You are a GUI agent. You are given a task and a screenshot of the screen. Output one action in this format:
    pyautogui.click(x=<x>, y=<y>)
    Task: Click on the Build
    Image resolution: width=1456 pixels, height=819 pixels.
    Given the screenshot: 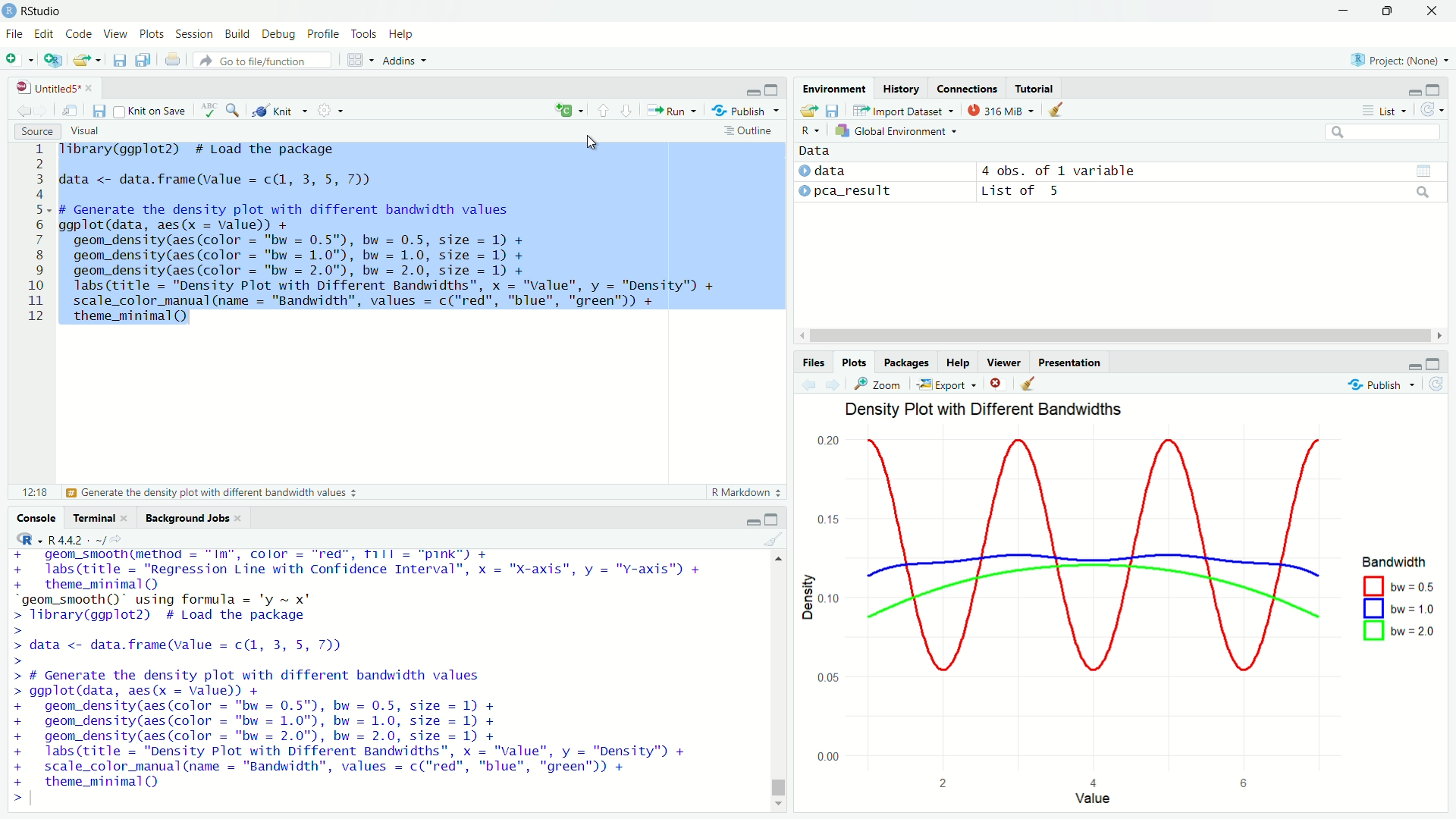 What is the action you would take?
    pyautogui.click(x=237, y=33)
    